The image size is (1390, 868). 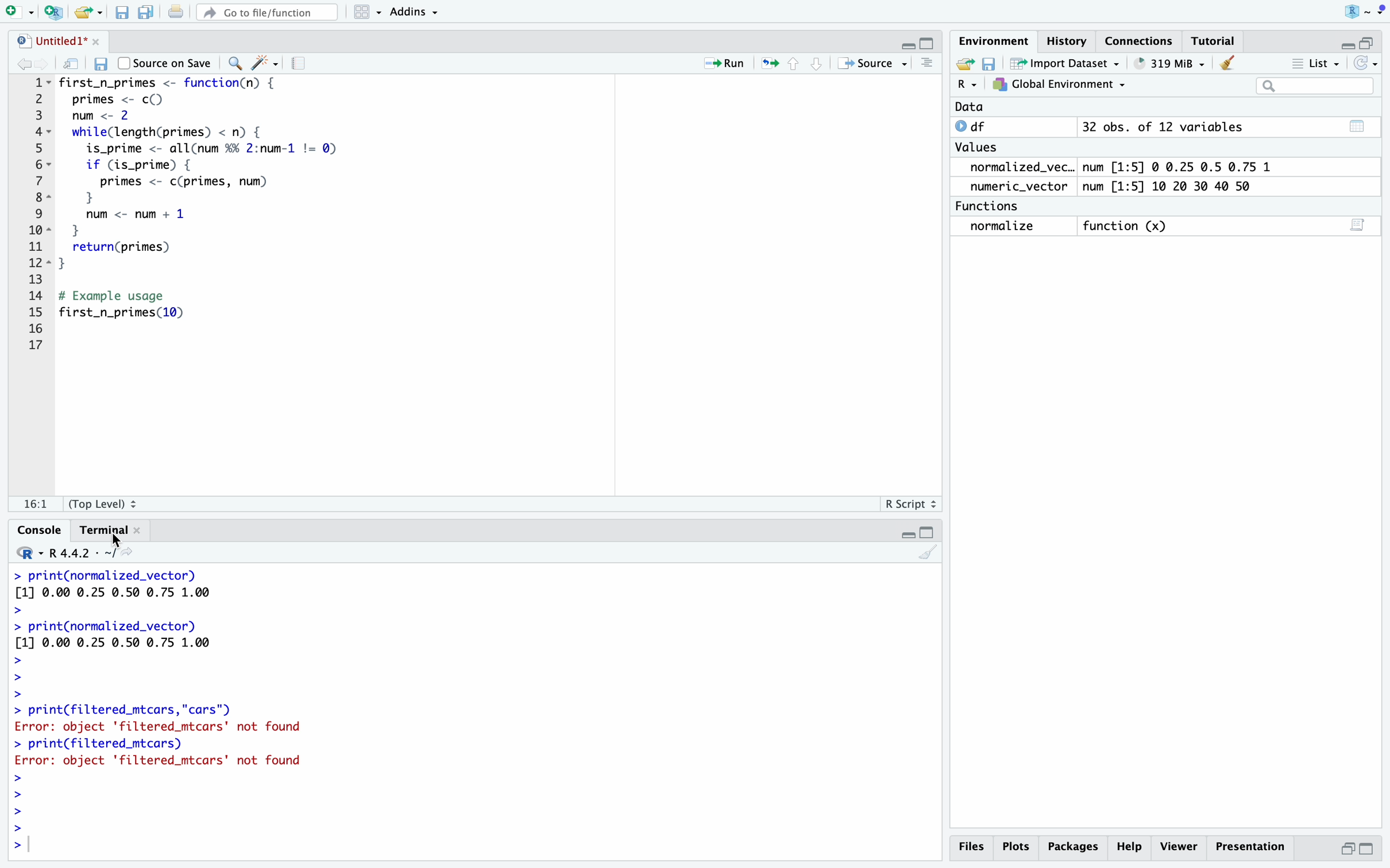 What do you see at coordinates (1369, 63) in the screenshot?
I see `Refresh` at bounding box center [1369, 63].